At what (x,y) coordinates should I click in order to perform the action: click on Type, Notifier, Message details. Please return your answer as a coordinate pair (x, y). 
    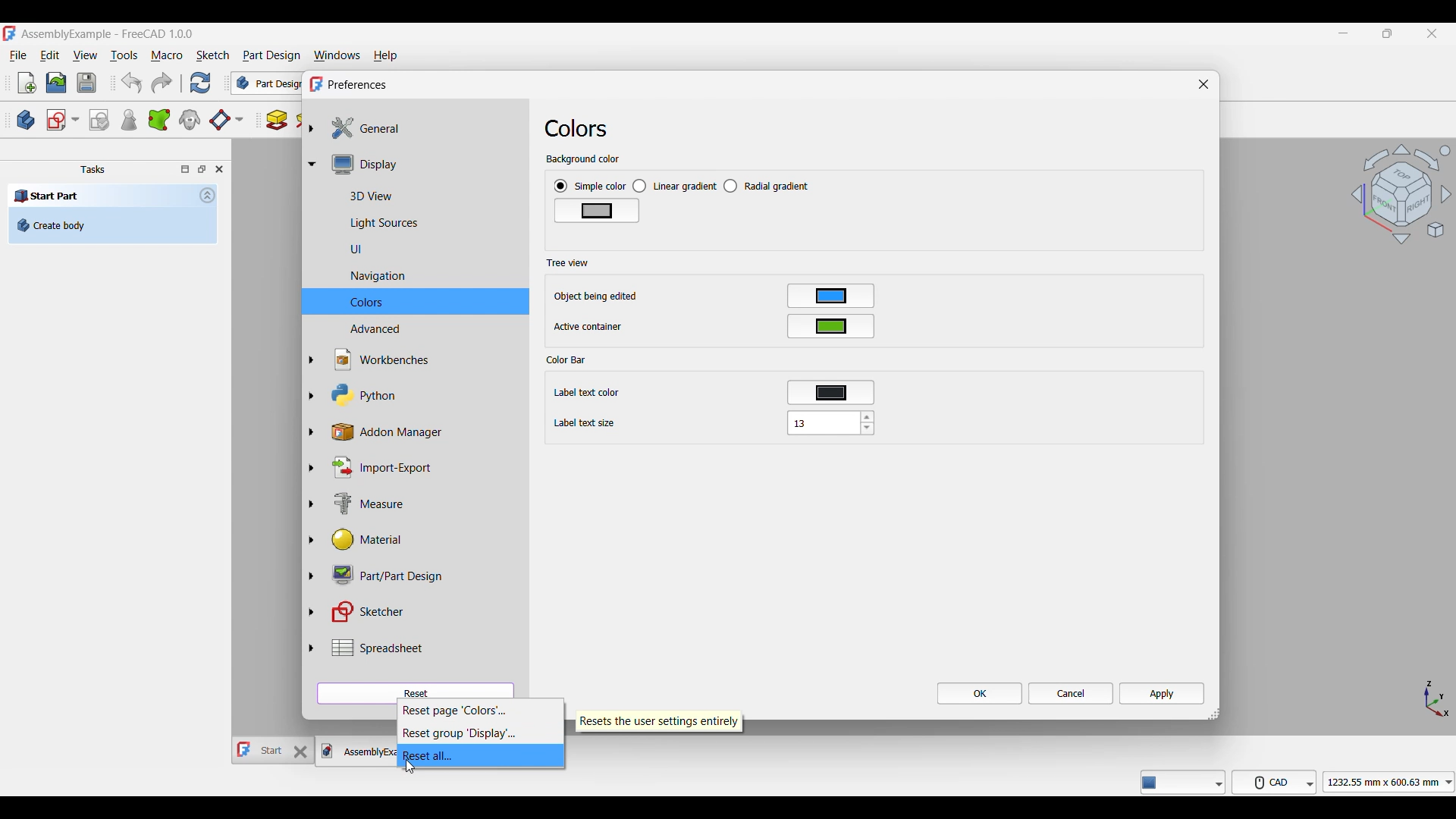
    Looking at the image, I should click on (1183, 782).